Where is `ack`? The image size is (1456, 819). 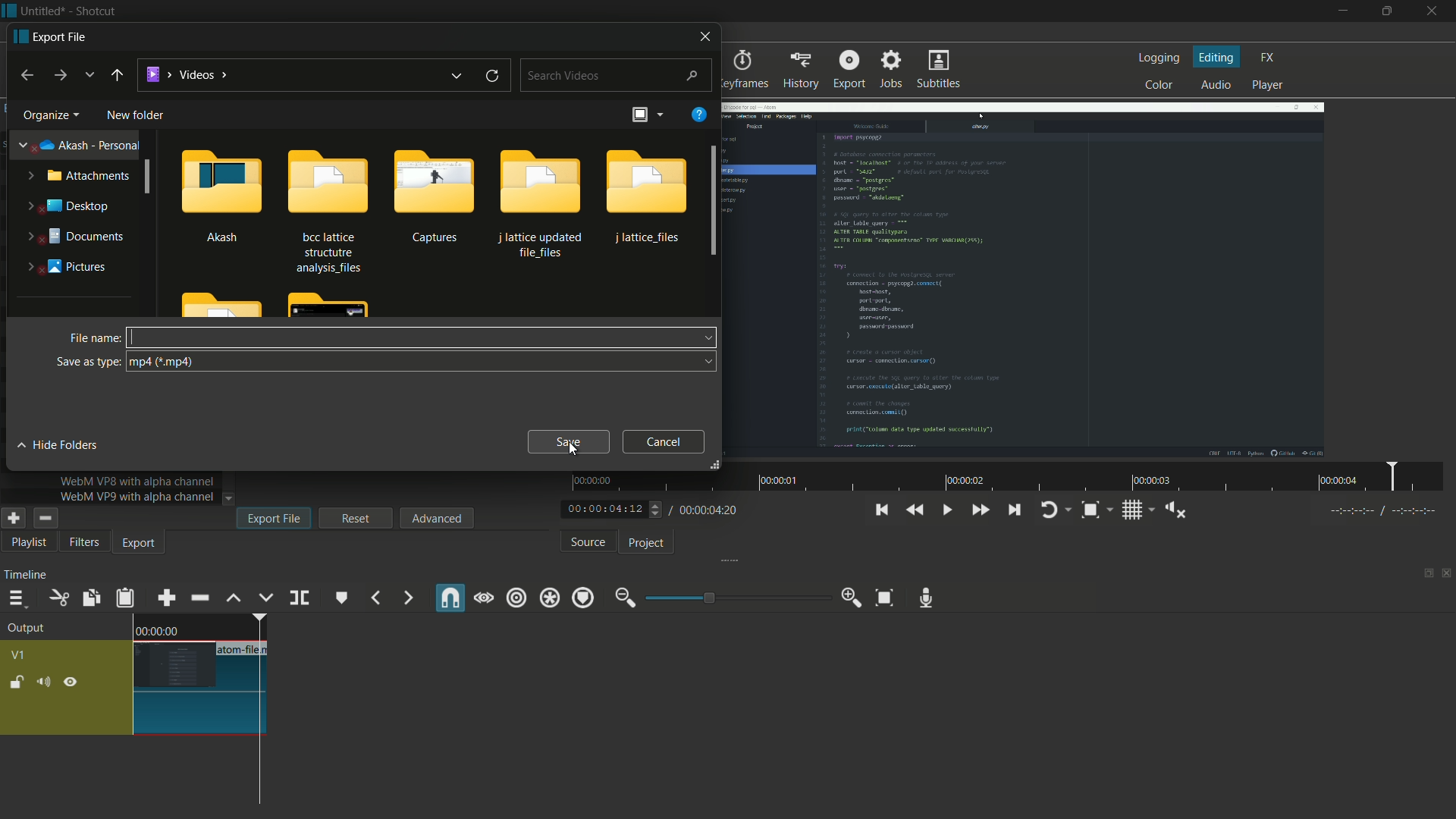 ack is located at coordinates (116, 76).